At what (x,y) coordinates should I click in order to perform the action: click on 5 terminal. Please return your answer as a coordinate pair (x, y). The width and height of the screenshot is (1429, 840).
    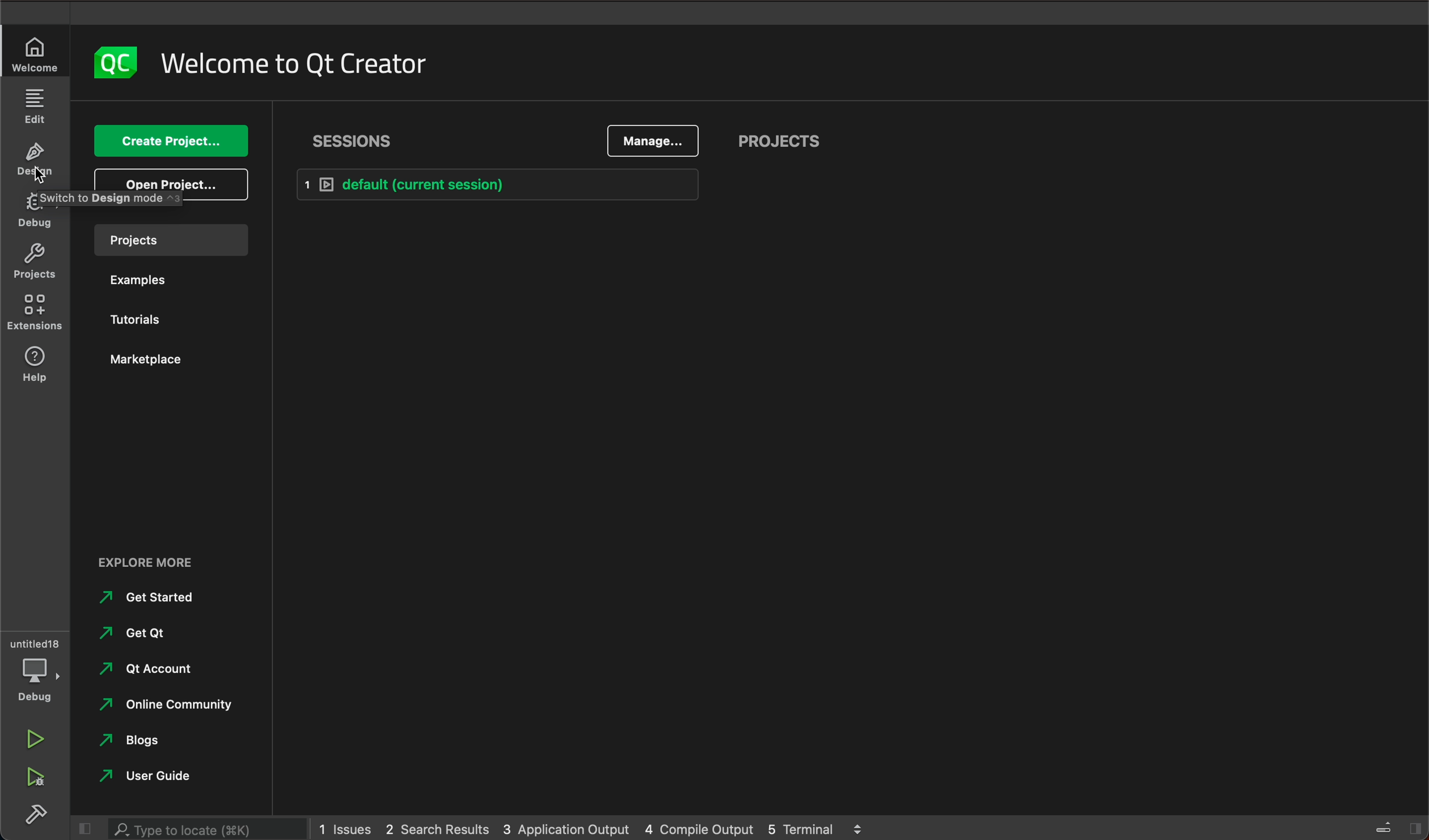
    Looking at the image, I should click on (814, 829).